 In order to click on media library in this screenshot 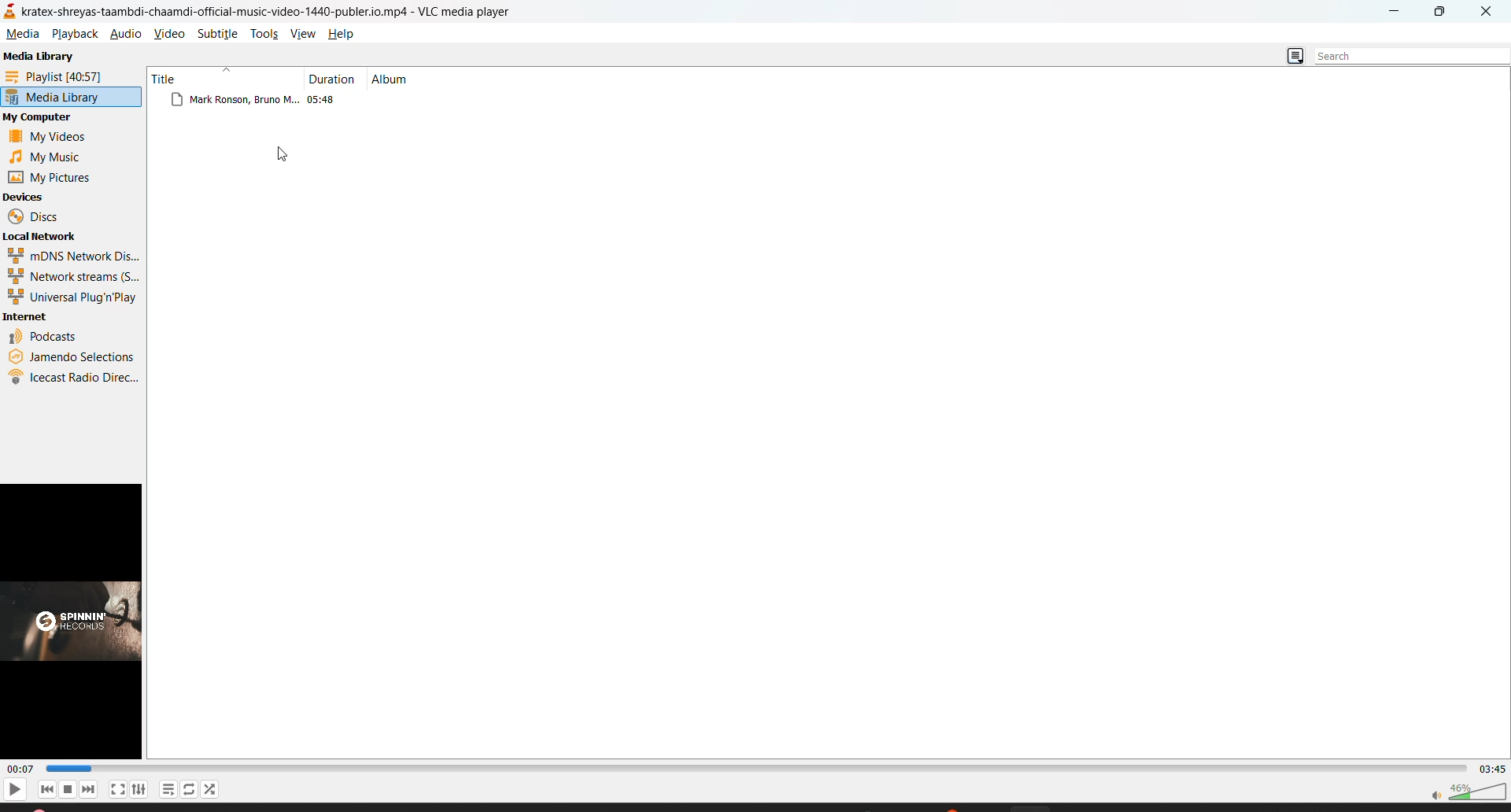, I will do `click(44, 57)`.